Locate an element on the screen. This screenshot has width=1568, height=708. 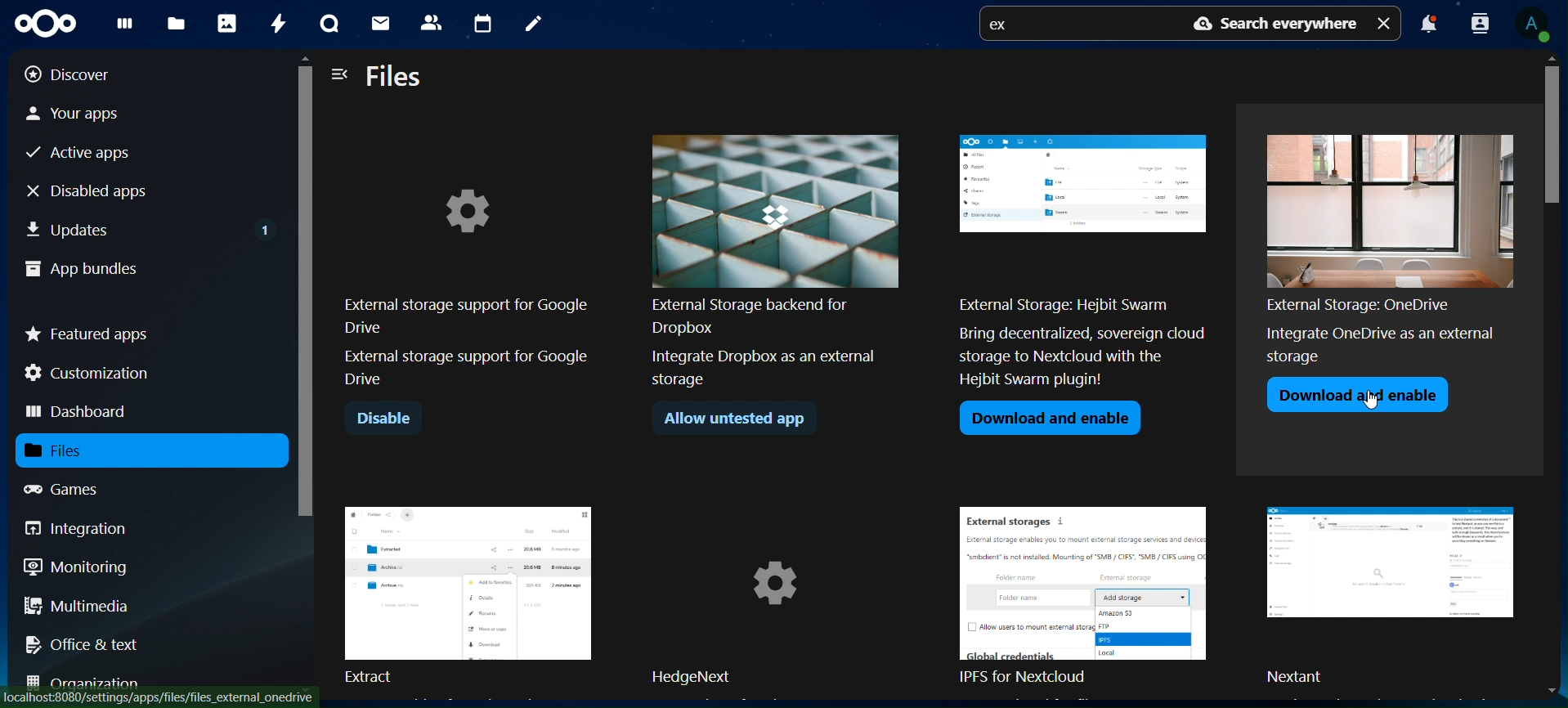
calendar is located at coordinates (482, 21).